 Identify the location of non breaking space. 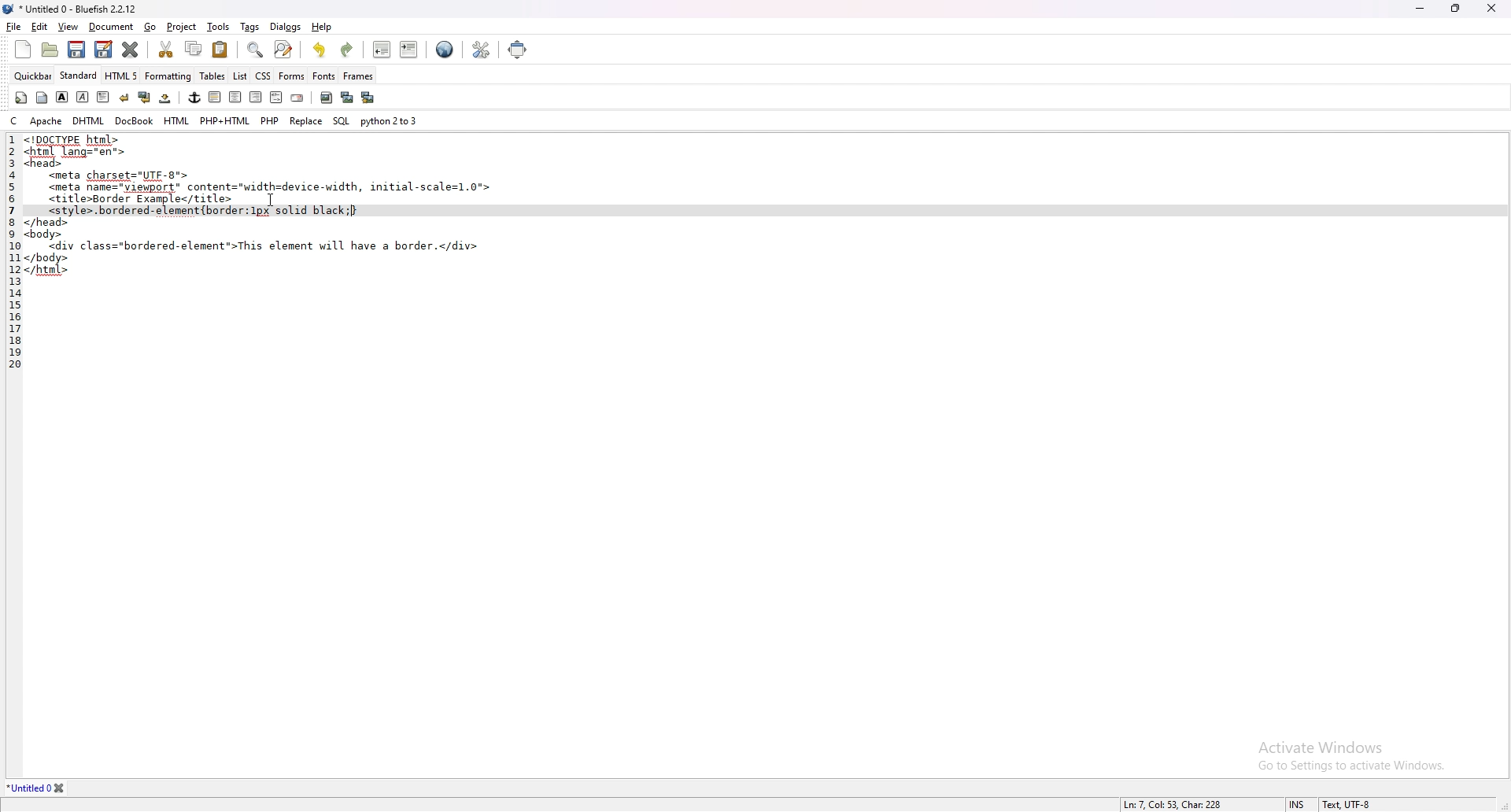
(166, 98).